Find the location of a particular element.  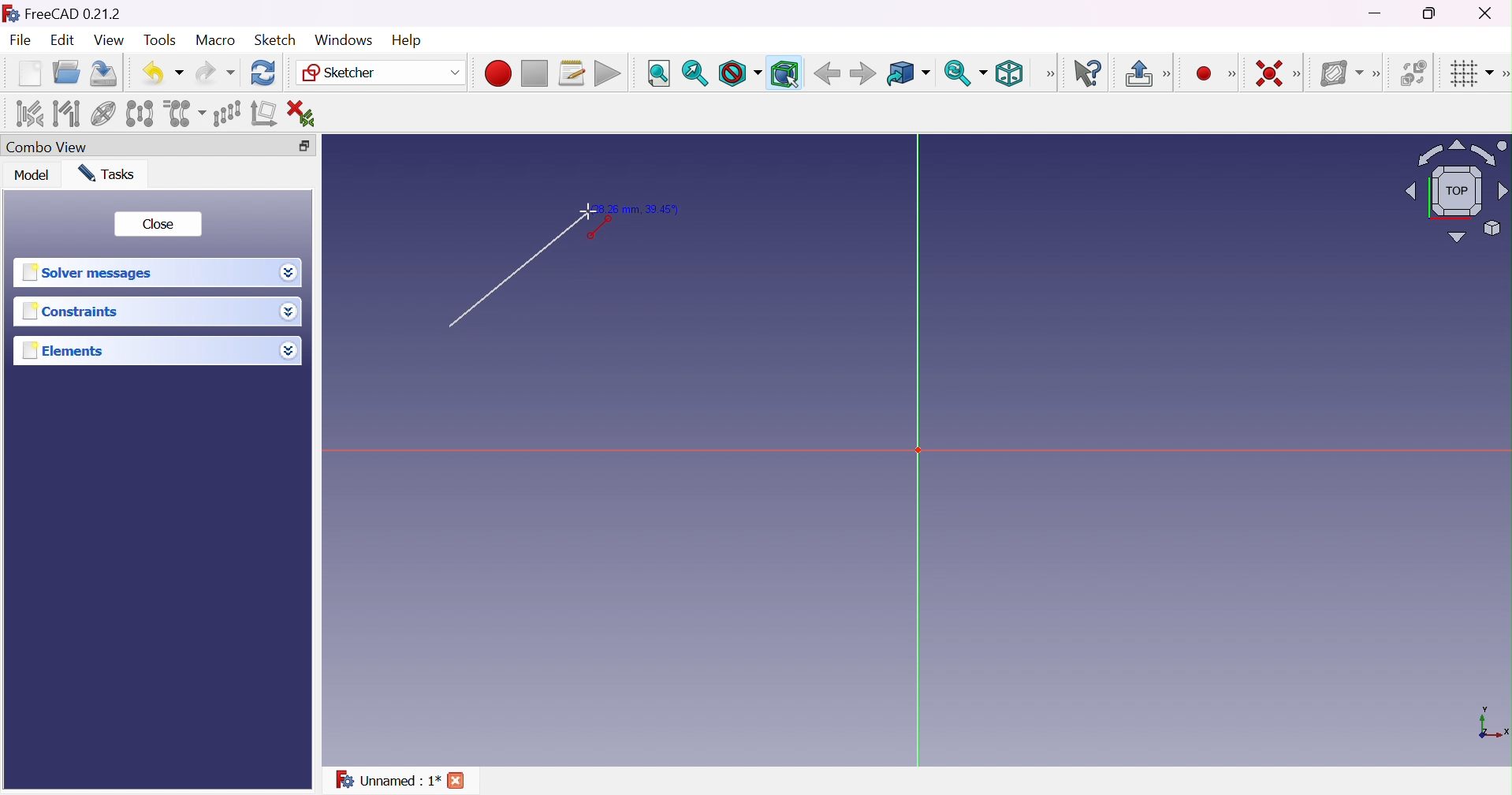

Switch virtual space is located at coordinates (1415, 73).